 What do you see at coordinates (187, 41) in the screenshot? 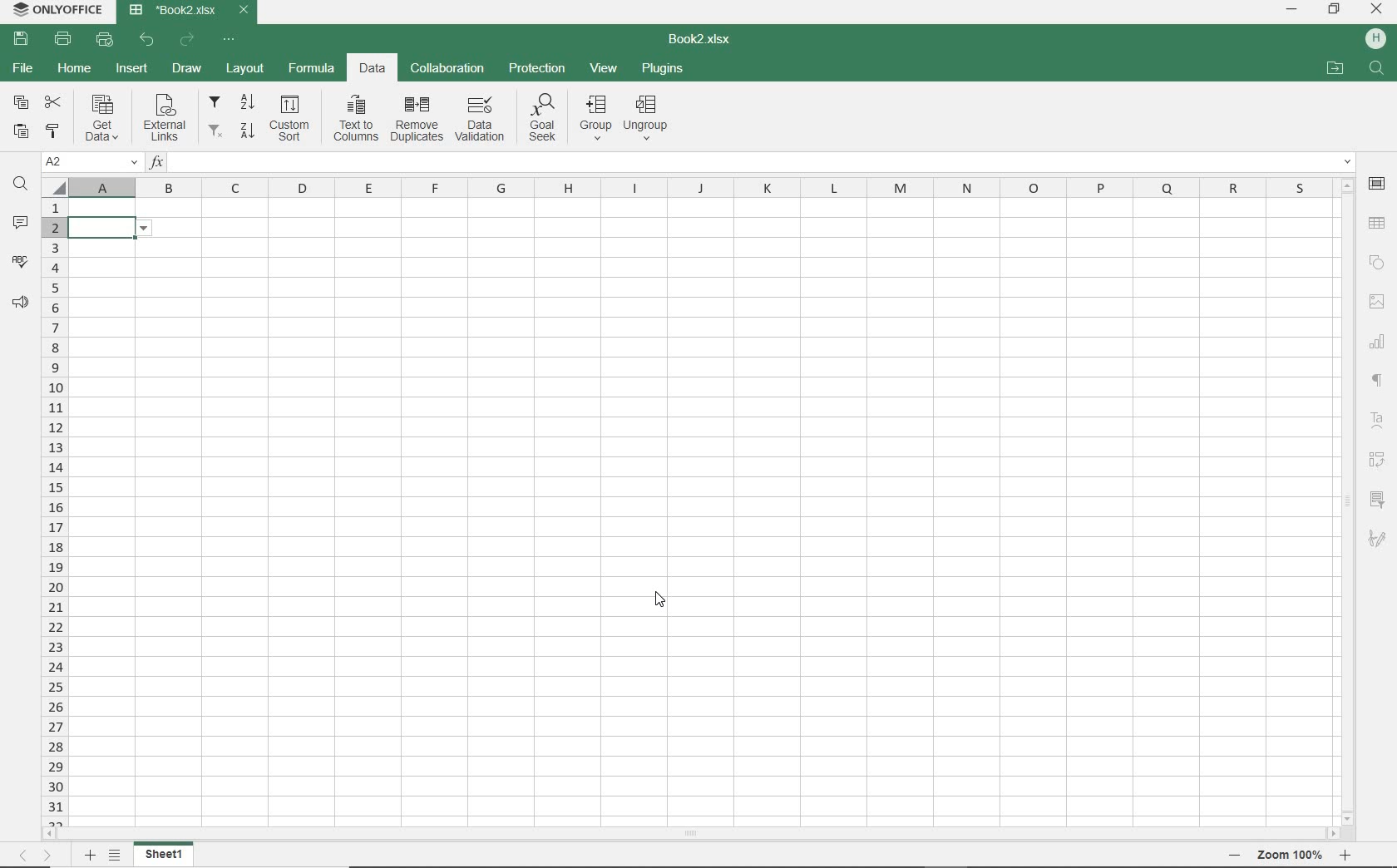
I see `REDO` at bounding box center [187, 41].